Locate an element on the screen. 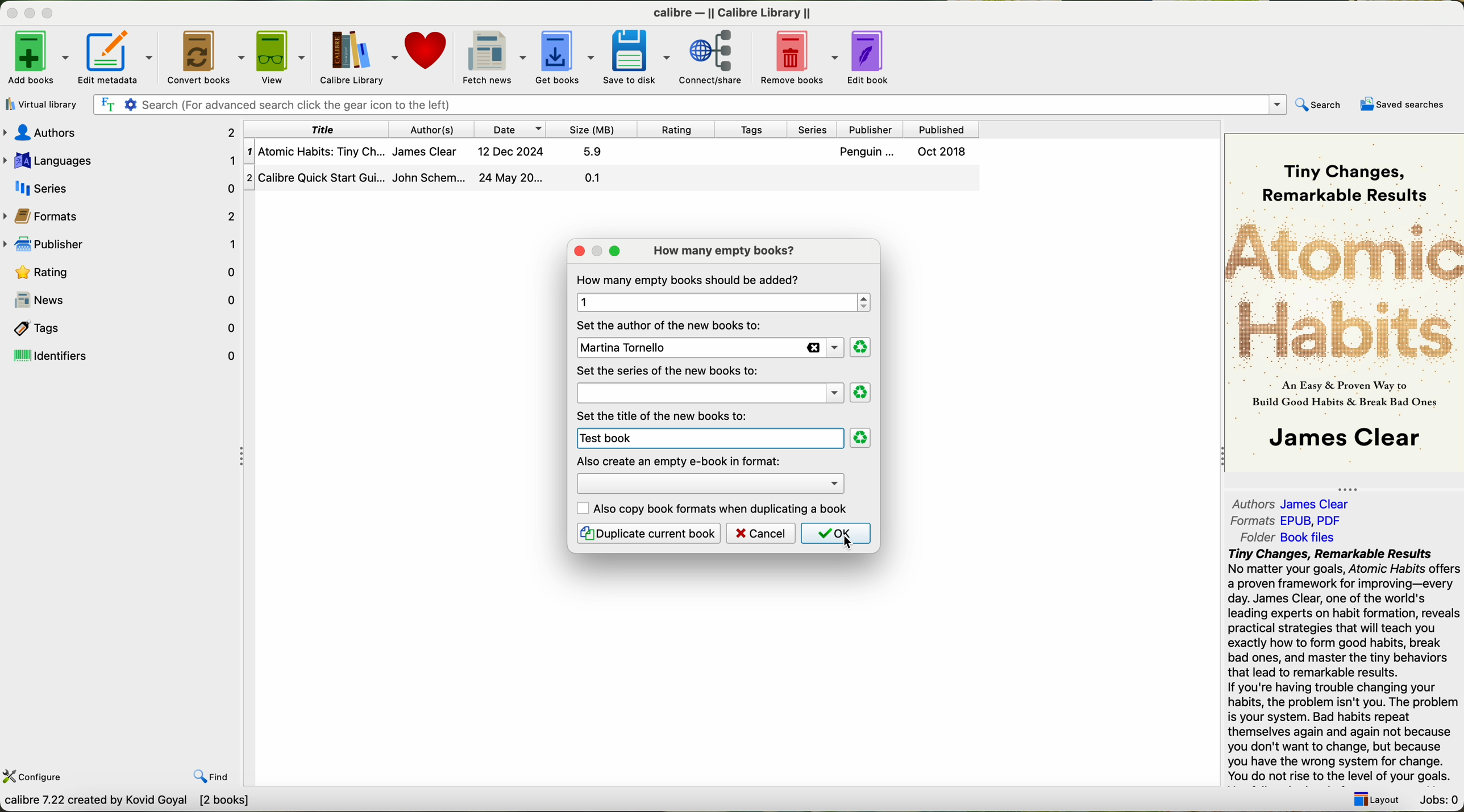 Image resolution: width=1464 pixels, height=812 pixels. Layout is located at coordinates (1376, 800).